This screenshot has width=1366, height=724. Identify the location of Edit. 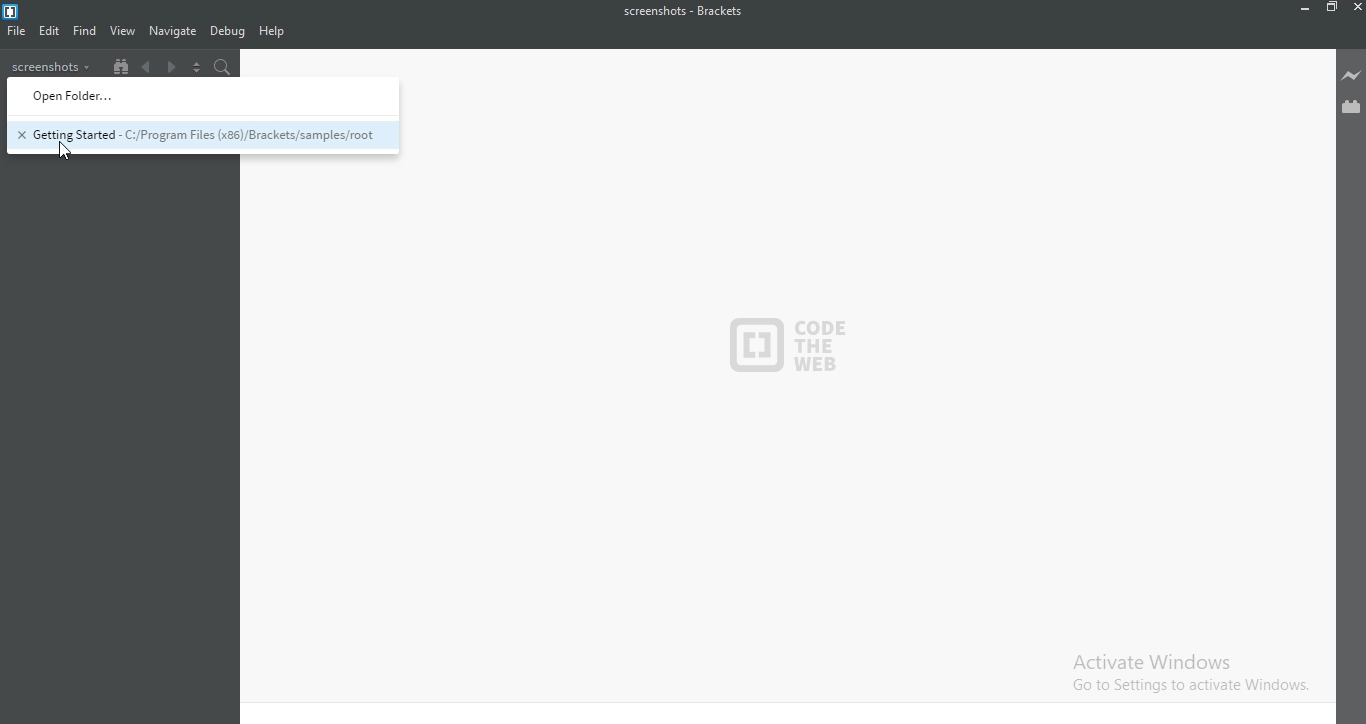
(49, 32).